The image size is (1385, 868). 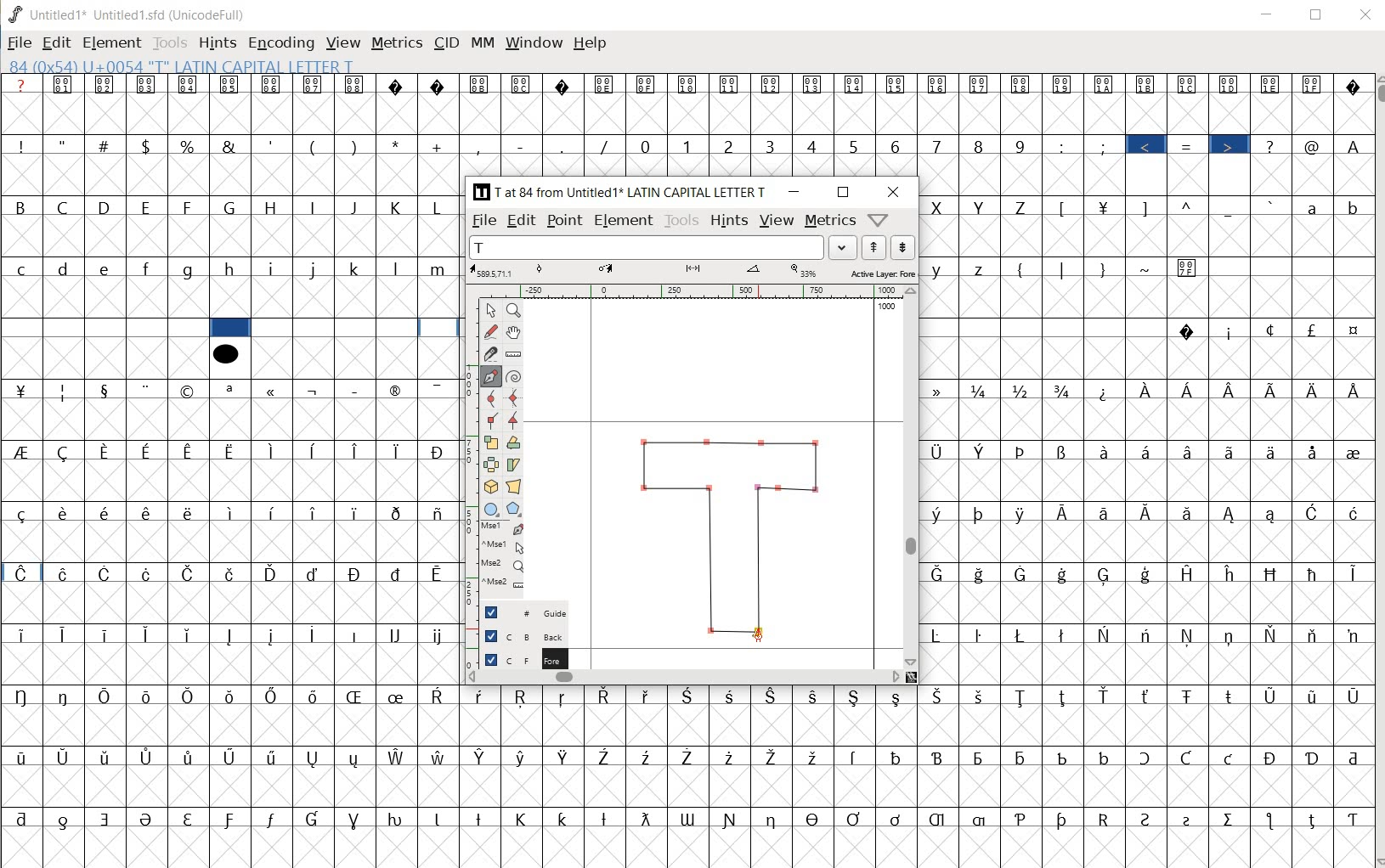 What do you see at coordinates (230, 328) in the screenshot?
I see `cell selected` at bounding box center [230, 328].